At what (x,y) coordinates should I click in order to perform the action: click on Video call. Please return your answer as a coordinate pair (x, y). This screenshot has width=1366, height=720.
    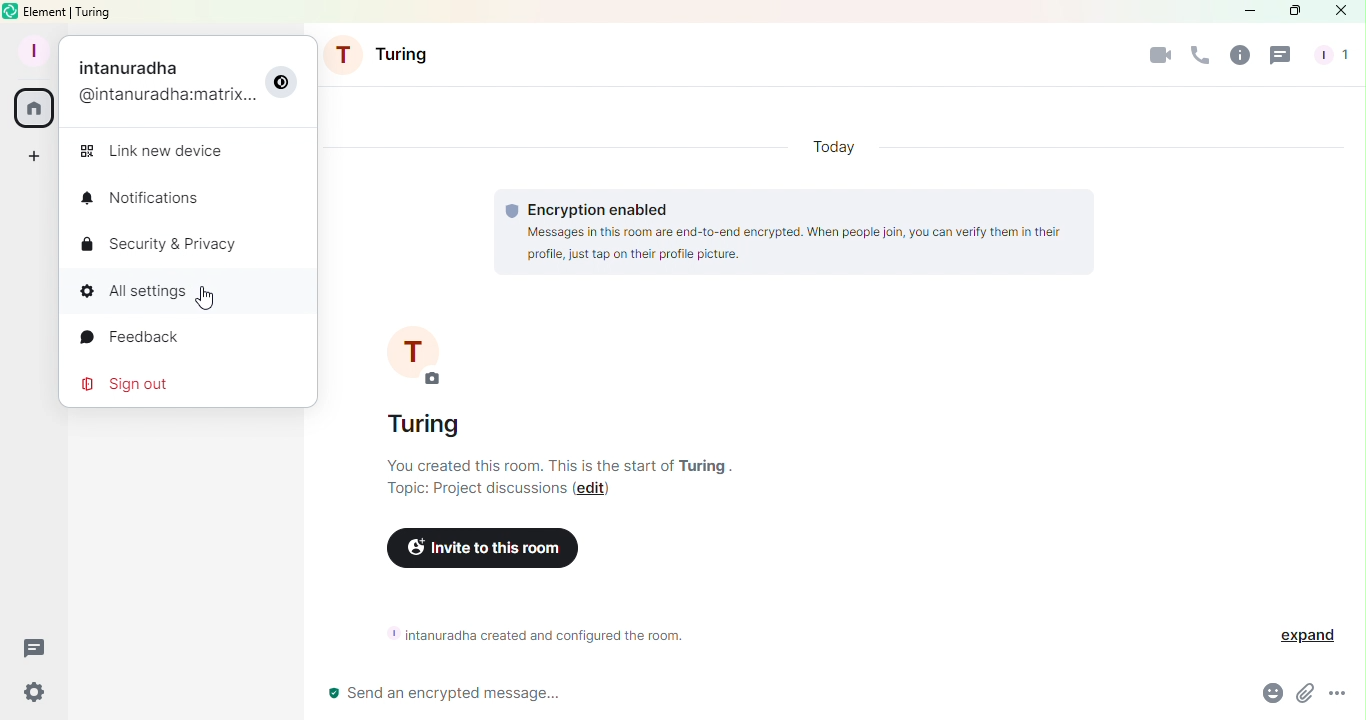
    Looking at the image, I should click on (1159, 56).